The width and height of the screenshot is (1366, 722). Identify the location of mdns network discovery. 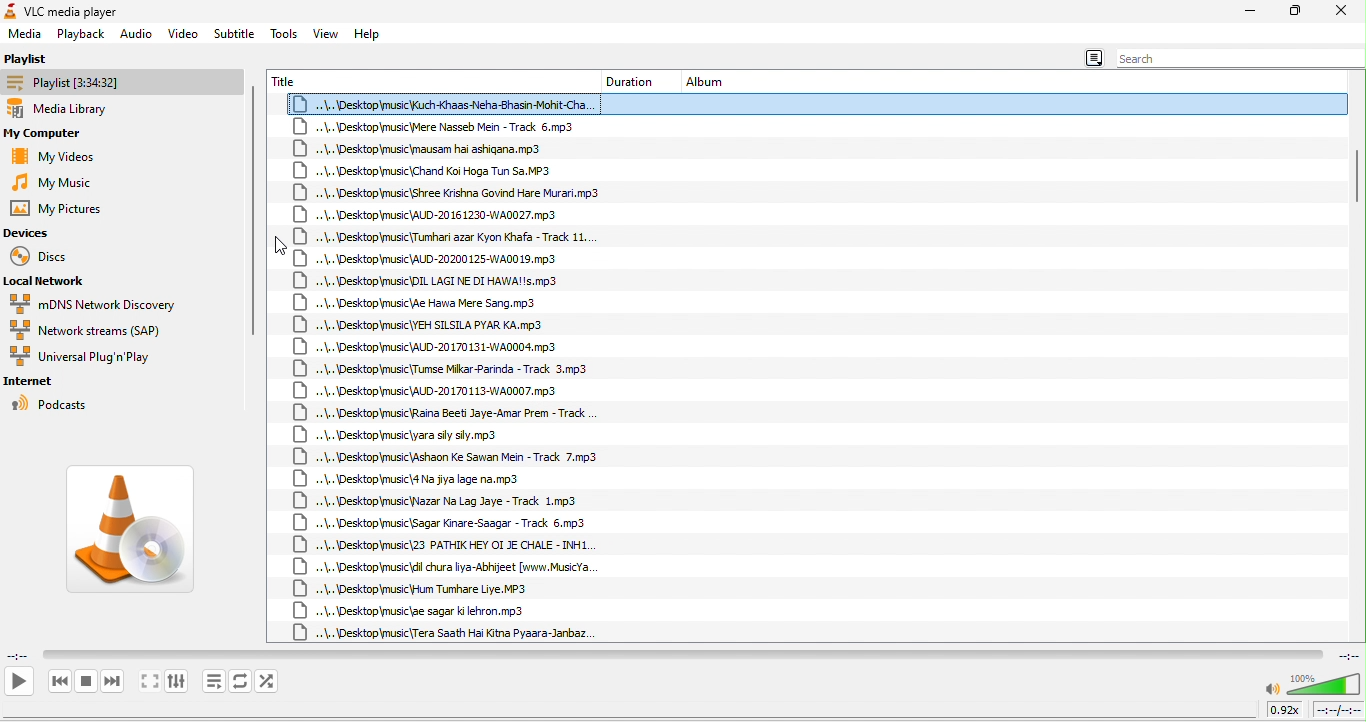
(94, 303).